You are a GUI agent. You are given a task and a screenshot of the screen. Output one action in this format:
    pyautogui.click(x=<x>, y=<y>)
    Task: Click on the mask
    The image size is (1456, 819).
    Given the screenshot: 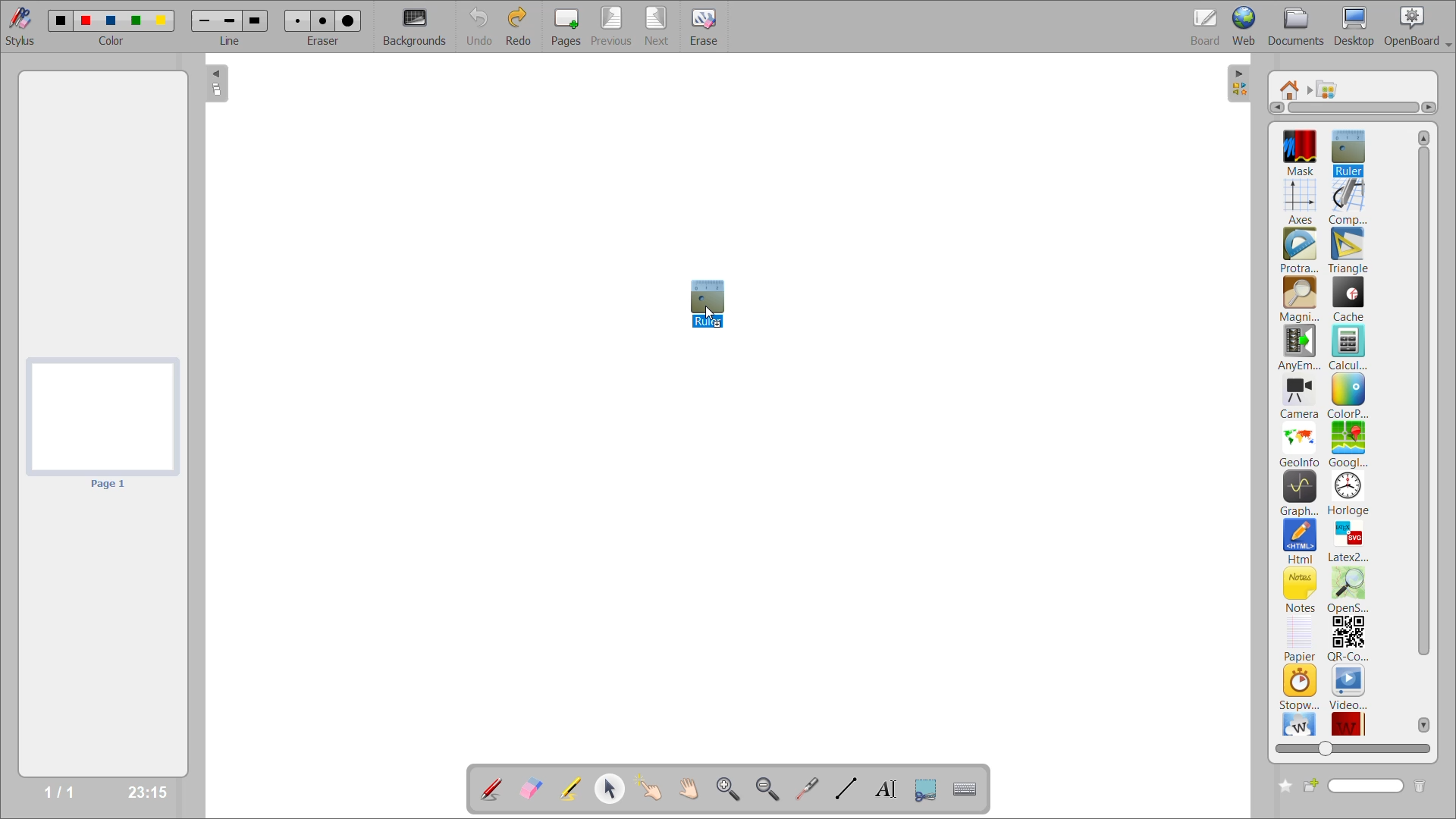 What is the action you would take?
    pyautogui.click(x=1304, y=152)
    